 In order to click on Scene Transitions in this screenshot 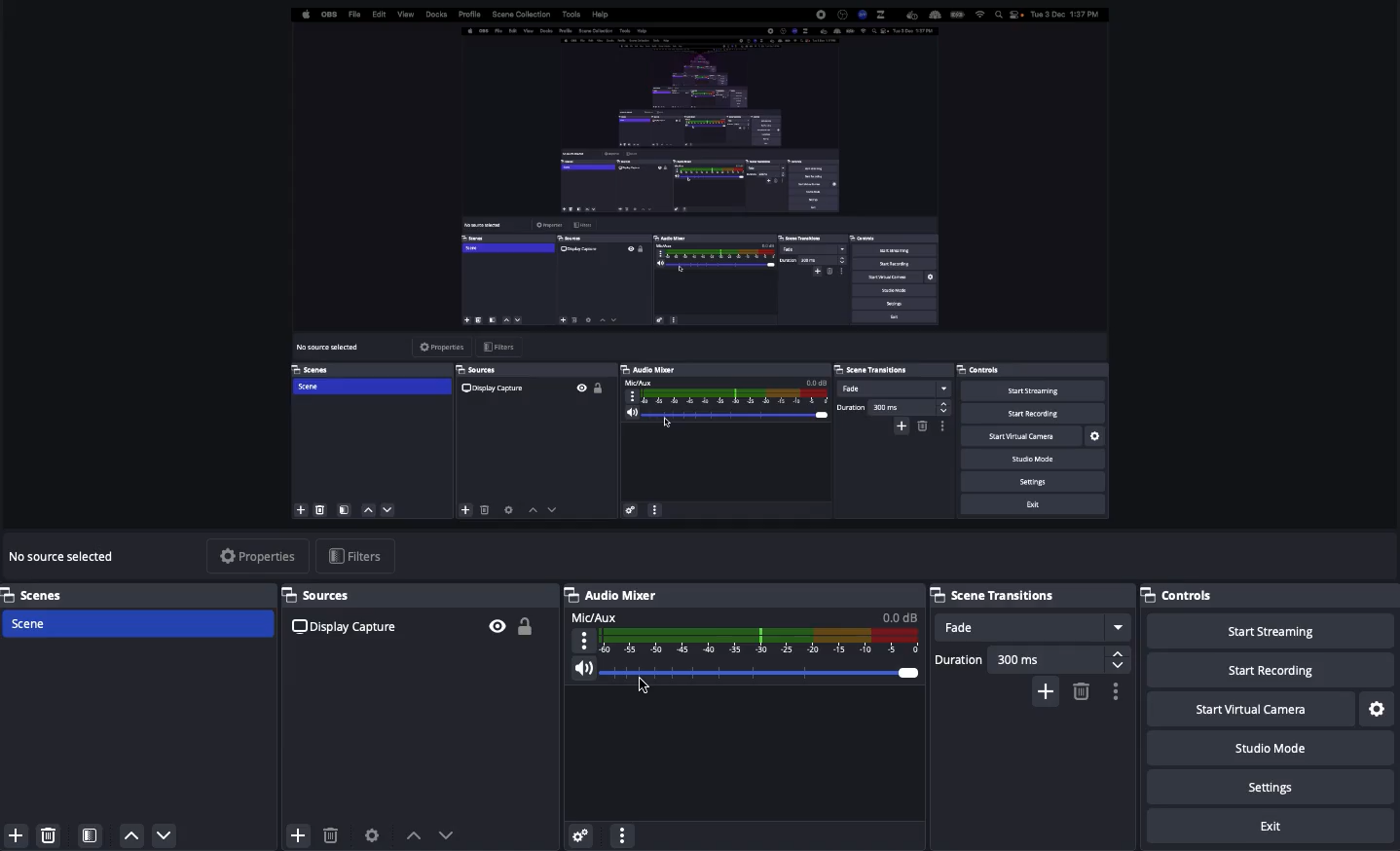, I will do `click(1028, 593)`.